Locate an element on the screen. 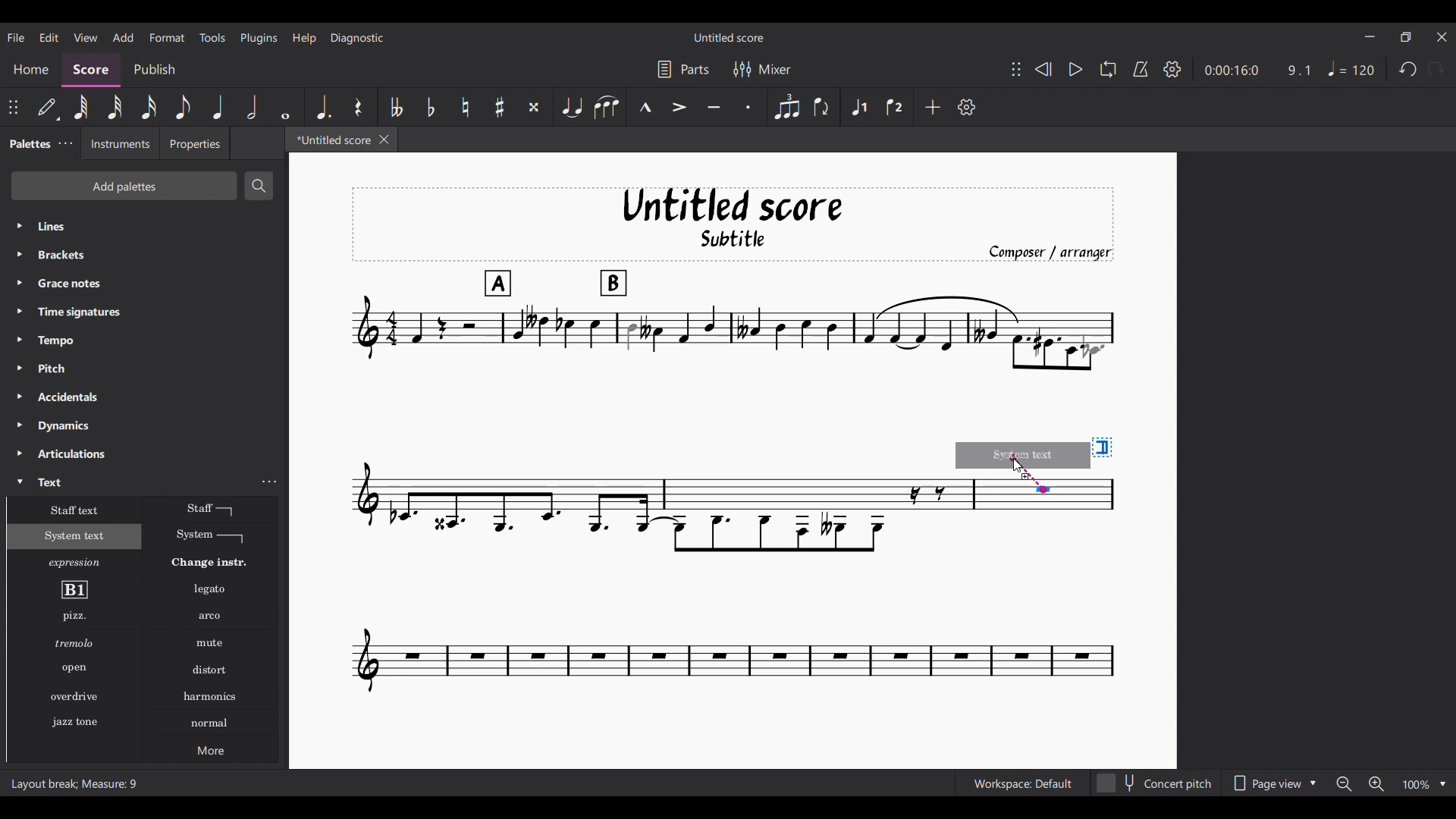  Toggle double flat is located at coordinates (394, 107).